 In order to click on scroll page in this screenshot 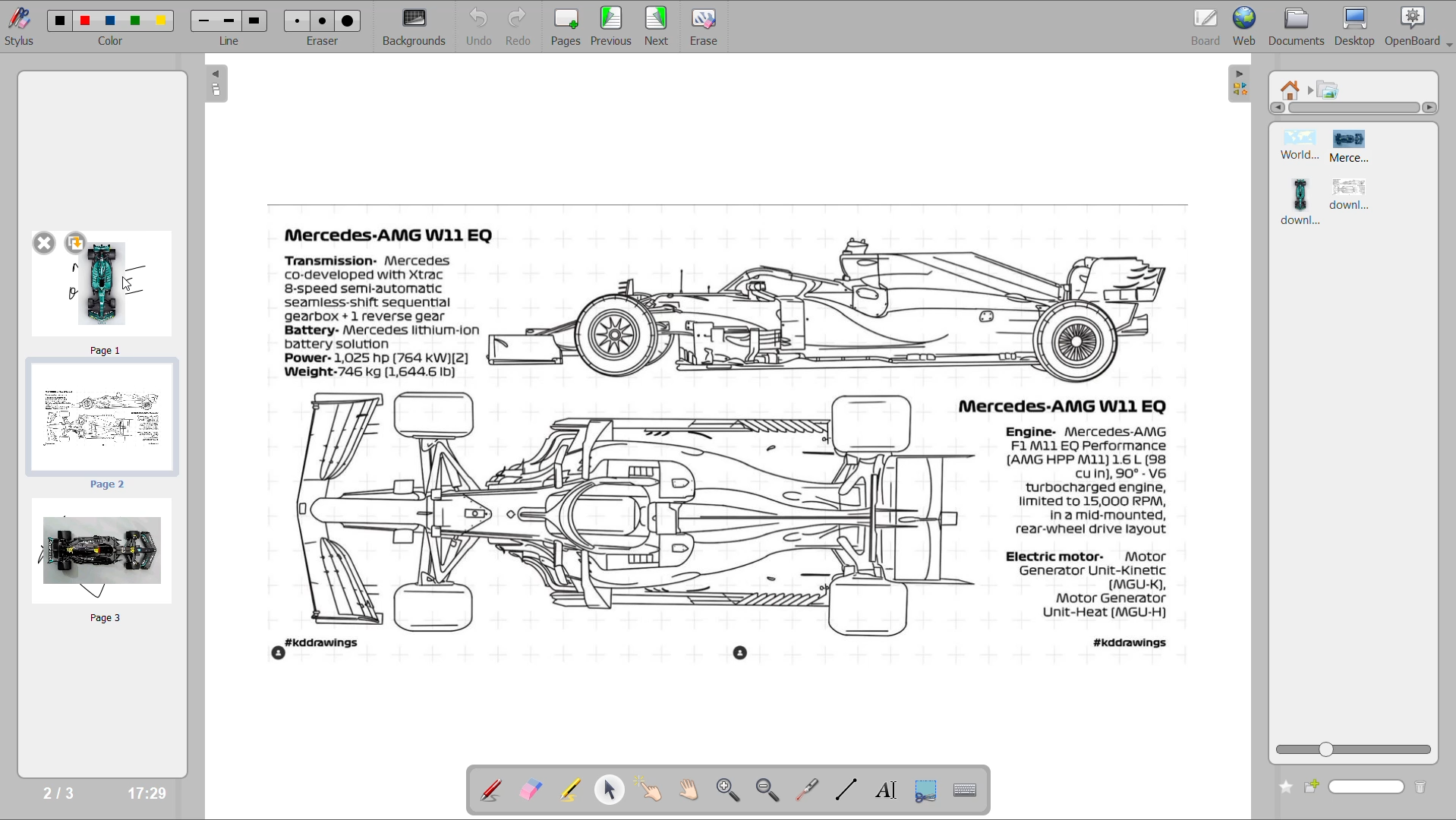, I will do `click(692, 791)`.